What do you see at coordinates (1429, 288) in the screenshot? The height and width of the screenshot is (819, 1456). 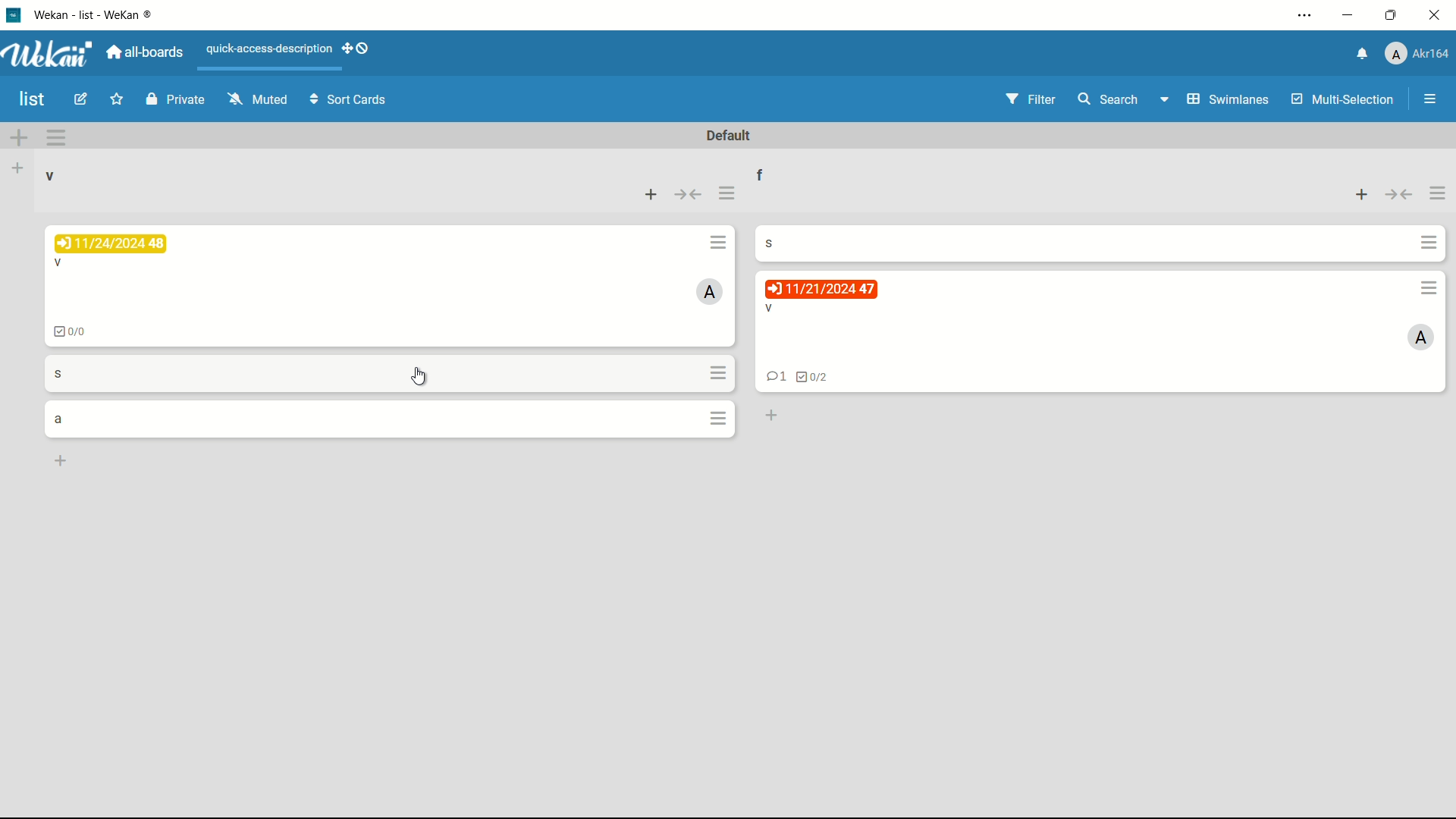 I see `card actions` at bounding box center [1429, 288].